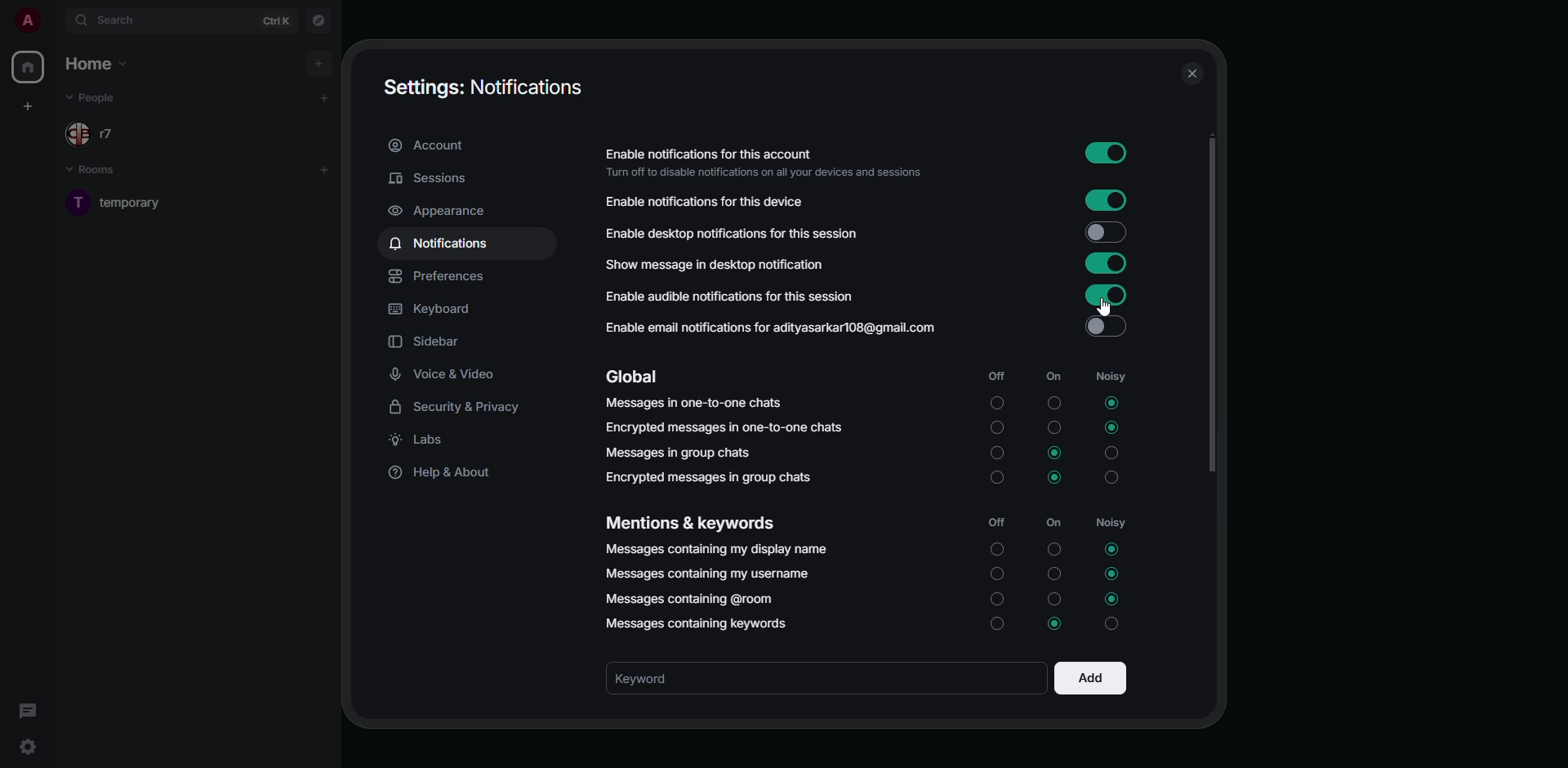 Image resolution: width=1568 pixels, height=768 pixels. I want to click on keyword, so click(663, 679).